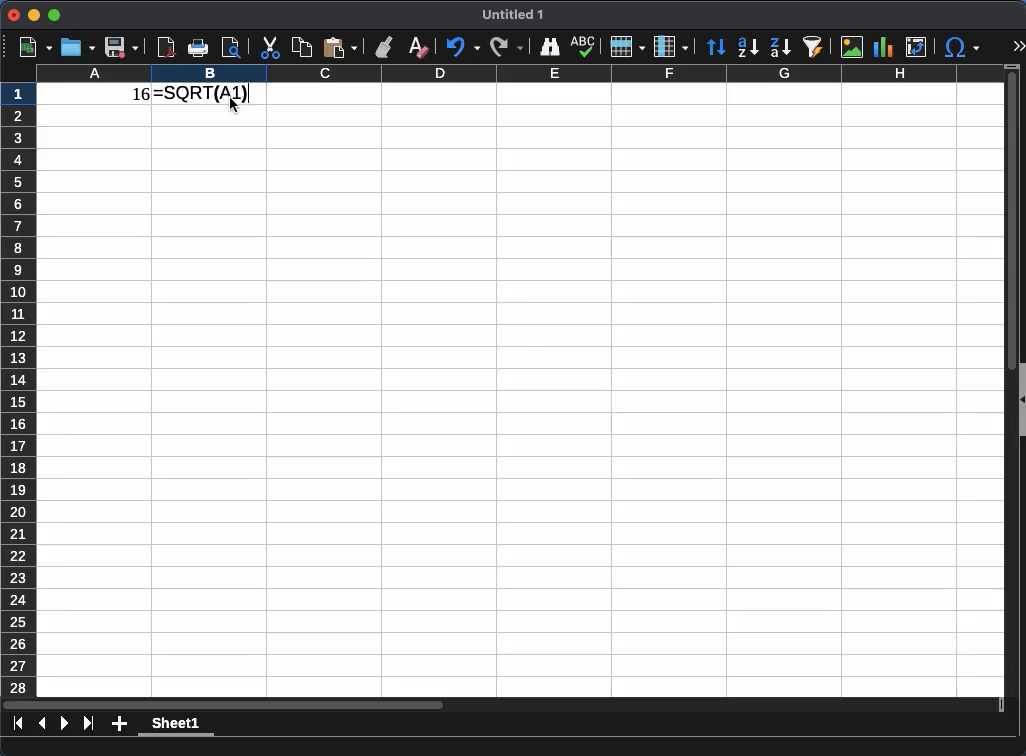 This screenshot has width=1026, height=756. I want to click on sheet1, so click(177, 727).